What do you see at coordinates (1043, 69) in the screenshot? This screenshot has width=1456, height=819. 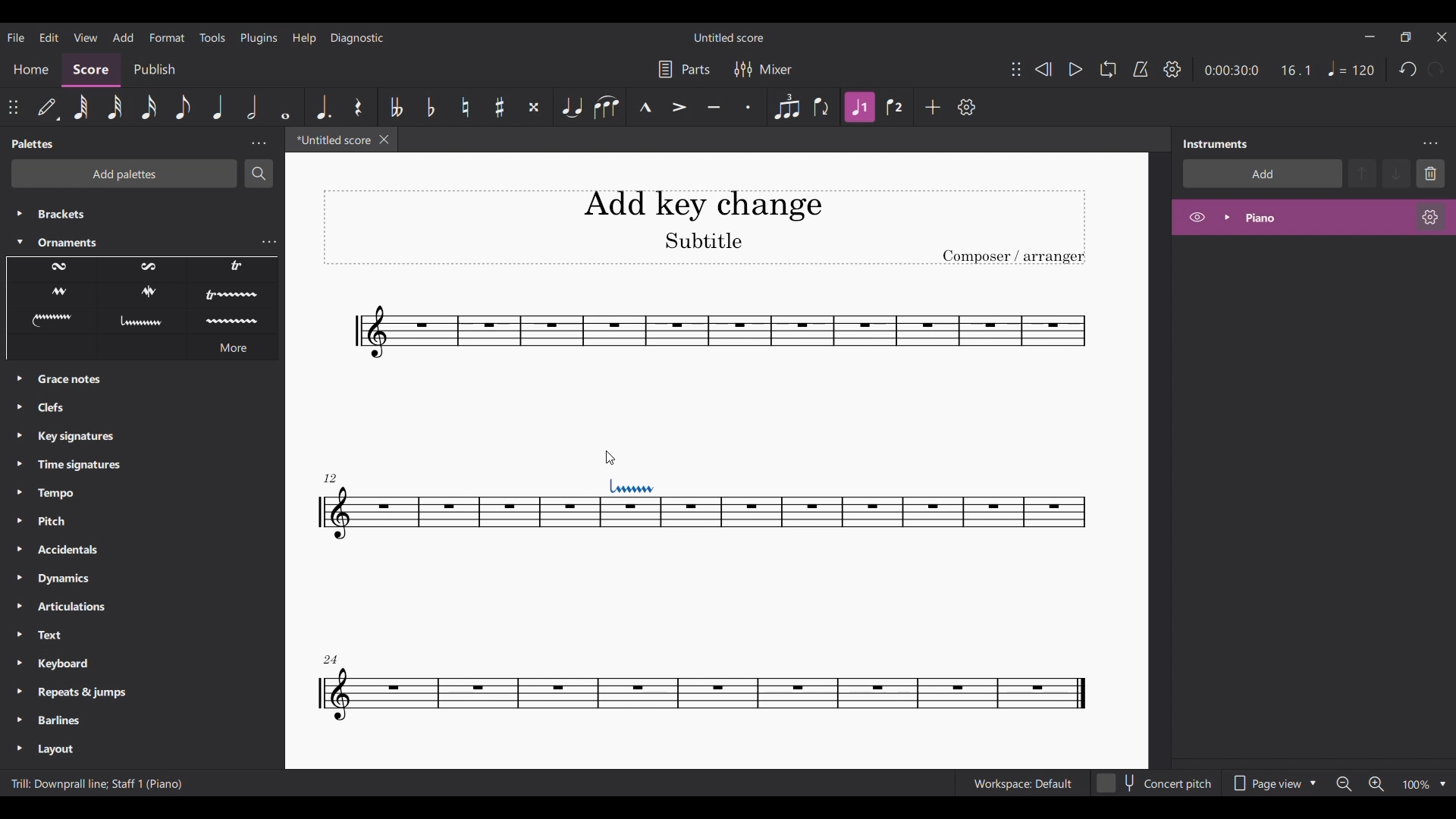 I see `Rewind` at bounding box center [1043, 69].